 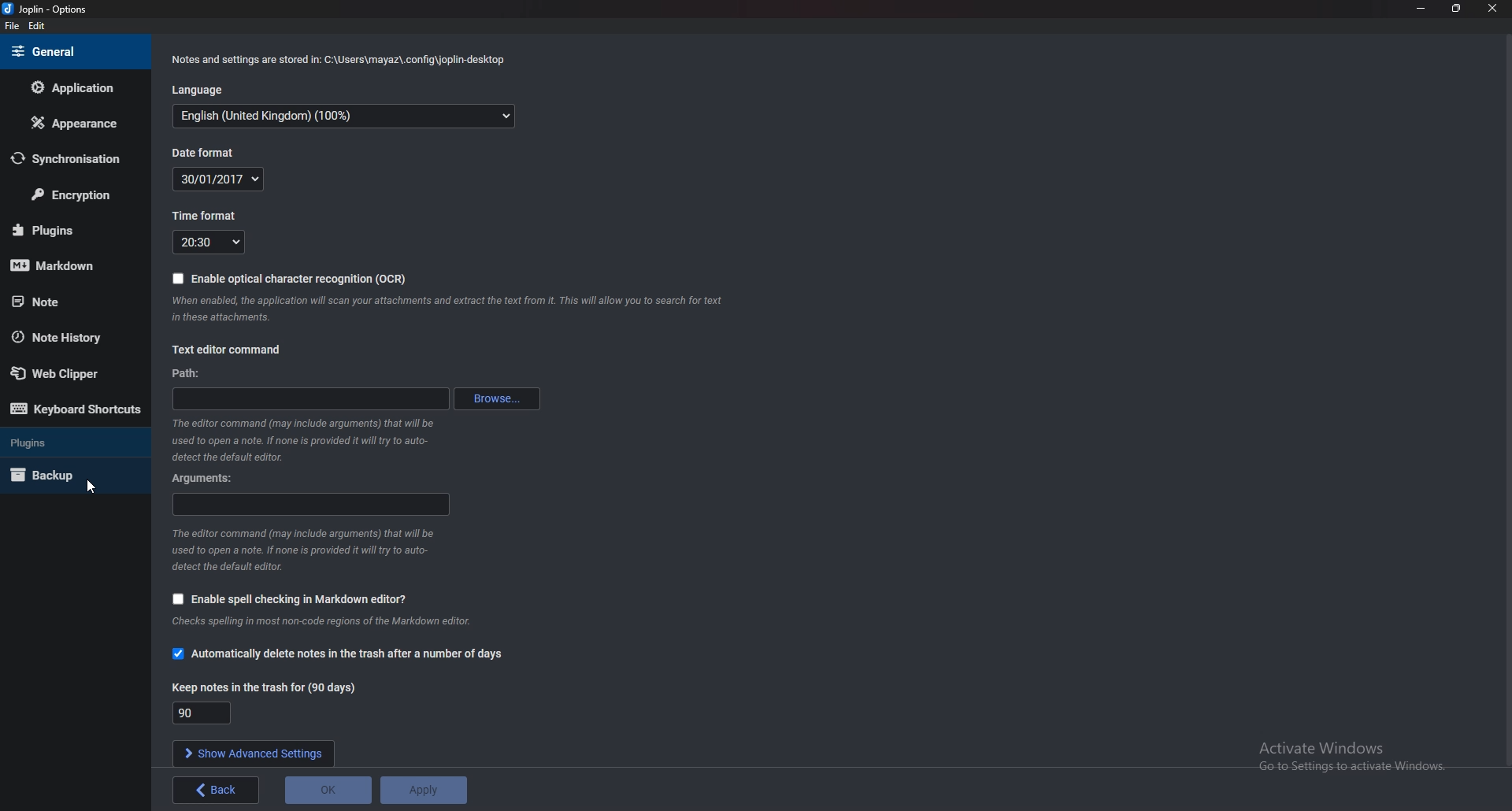 What do you see at coordinates (1421, 8) in the screenshot?
I see `minimize` at bounding box center [1421, 8].